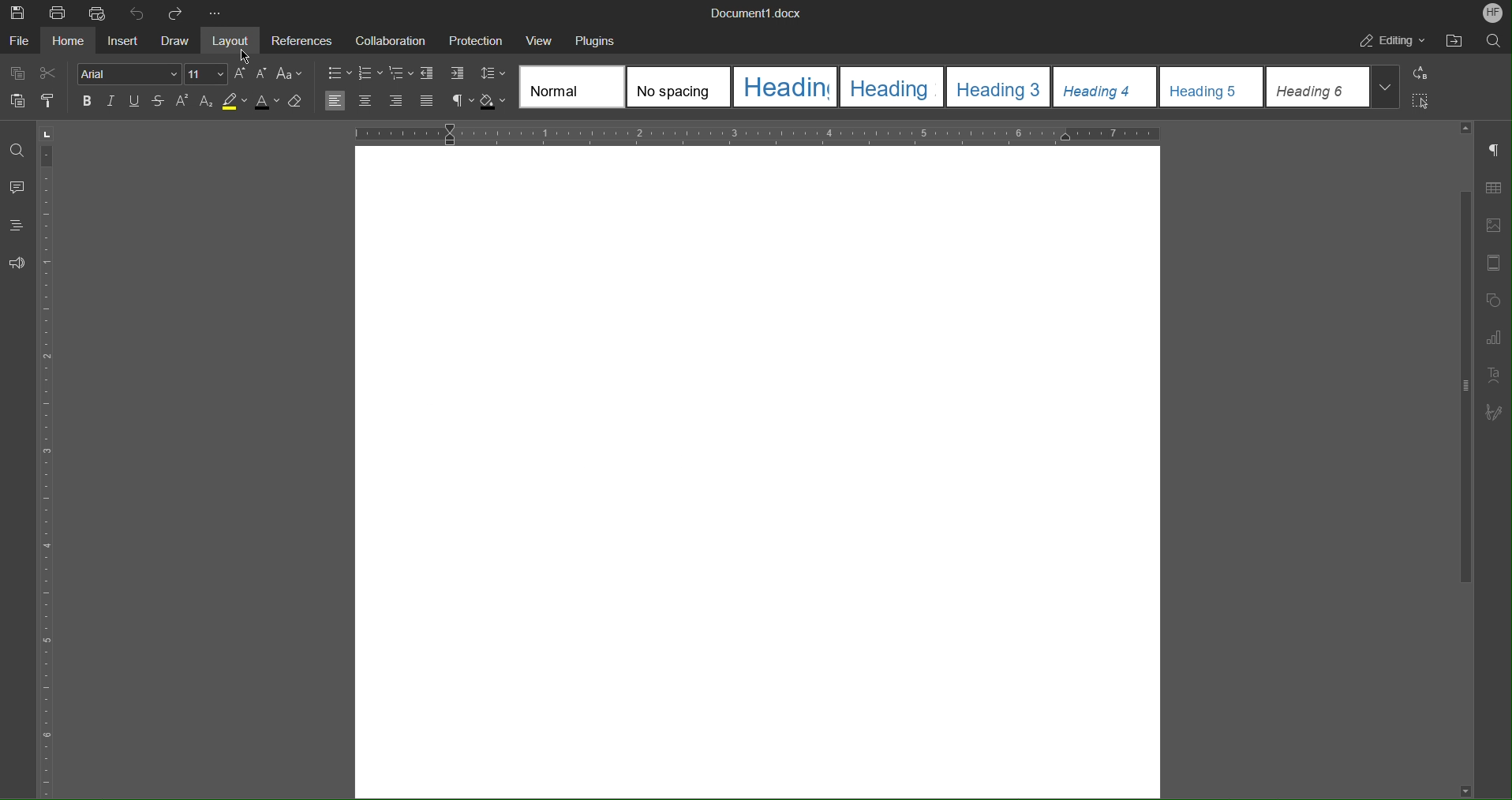 The height and width of the screenshot is (800, 1512). I want to click on Comment, so click(17, 189).